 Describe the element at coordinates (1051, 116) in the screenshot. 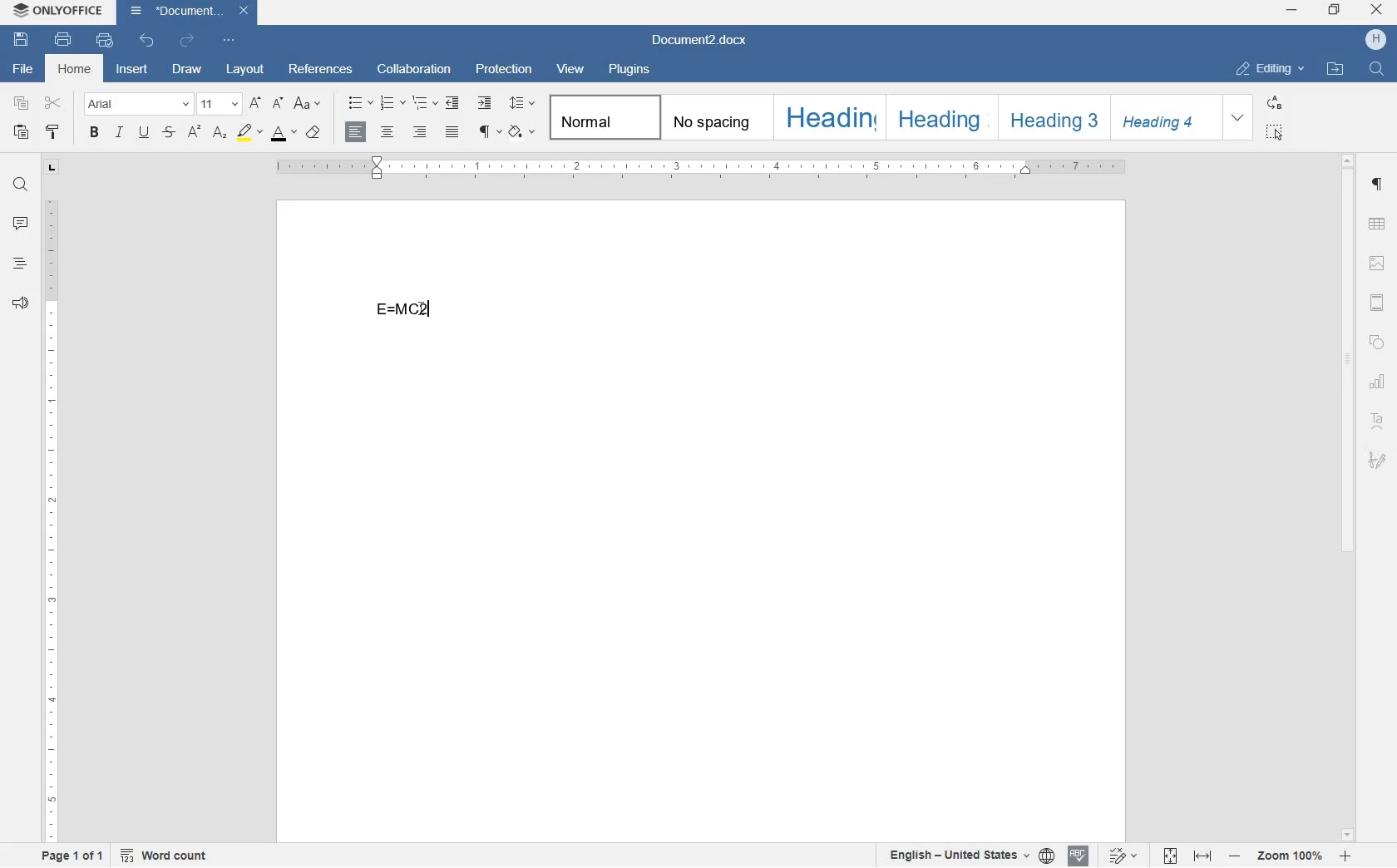

I see `Heading 3` at that location.